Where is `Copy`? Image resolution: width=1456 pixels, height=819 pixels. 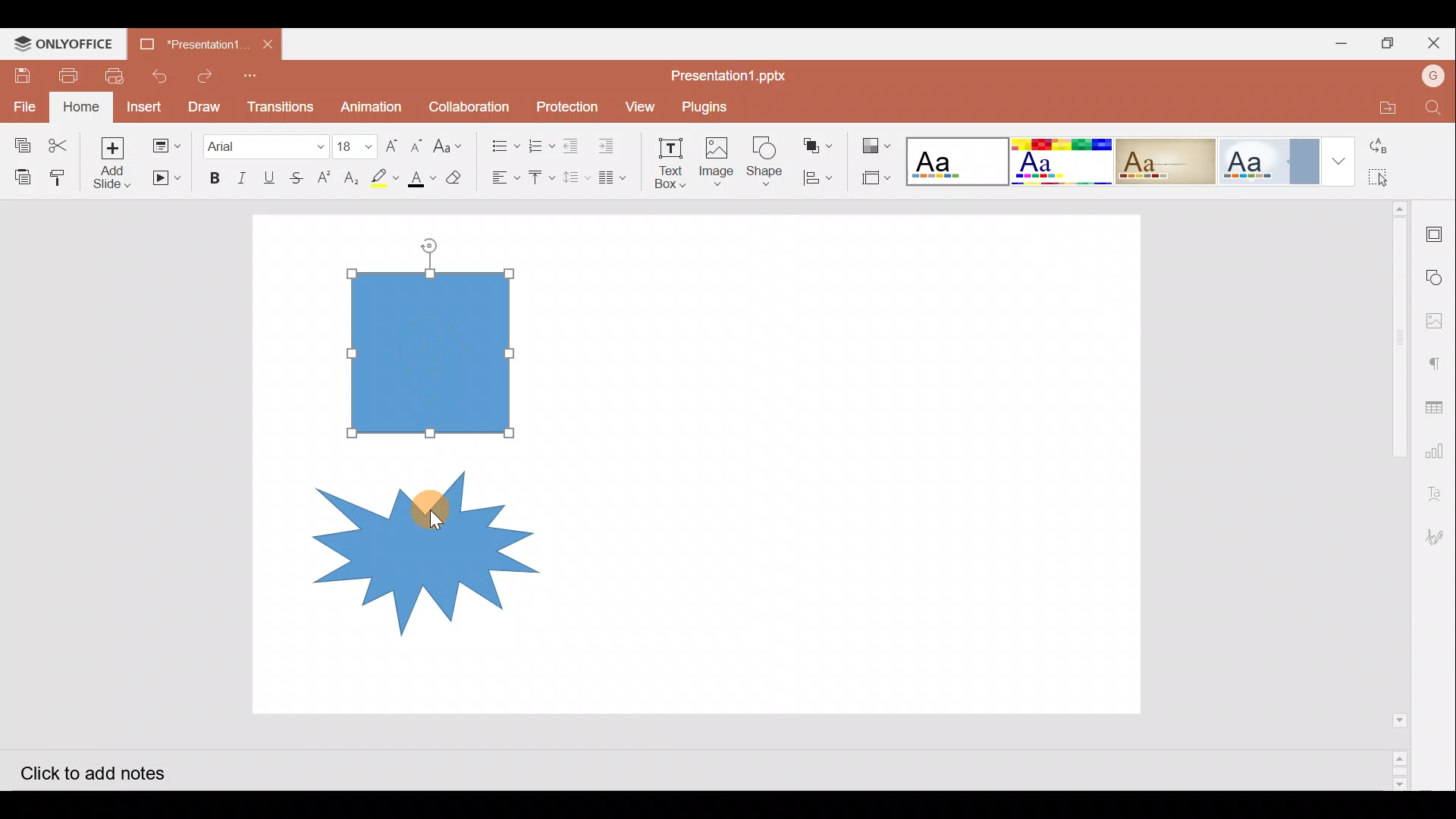 Copy is located at coordinates (18, 140).